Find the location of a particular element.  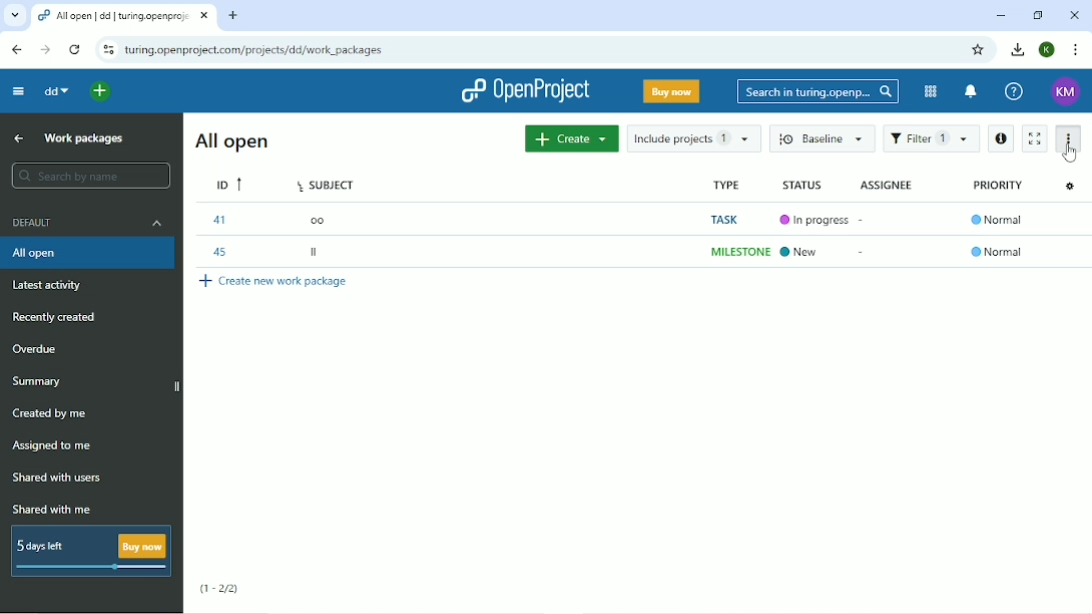

Modules is located at coordinates (930, 91).